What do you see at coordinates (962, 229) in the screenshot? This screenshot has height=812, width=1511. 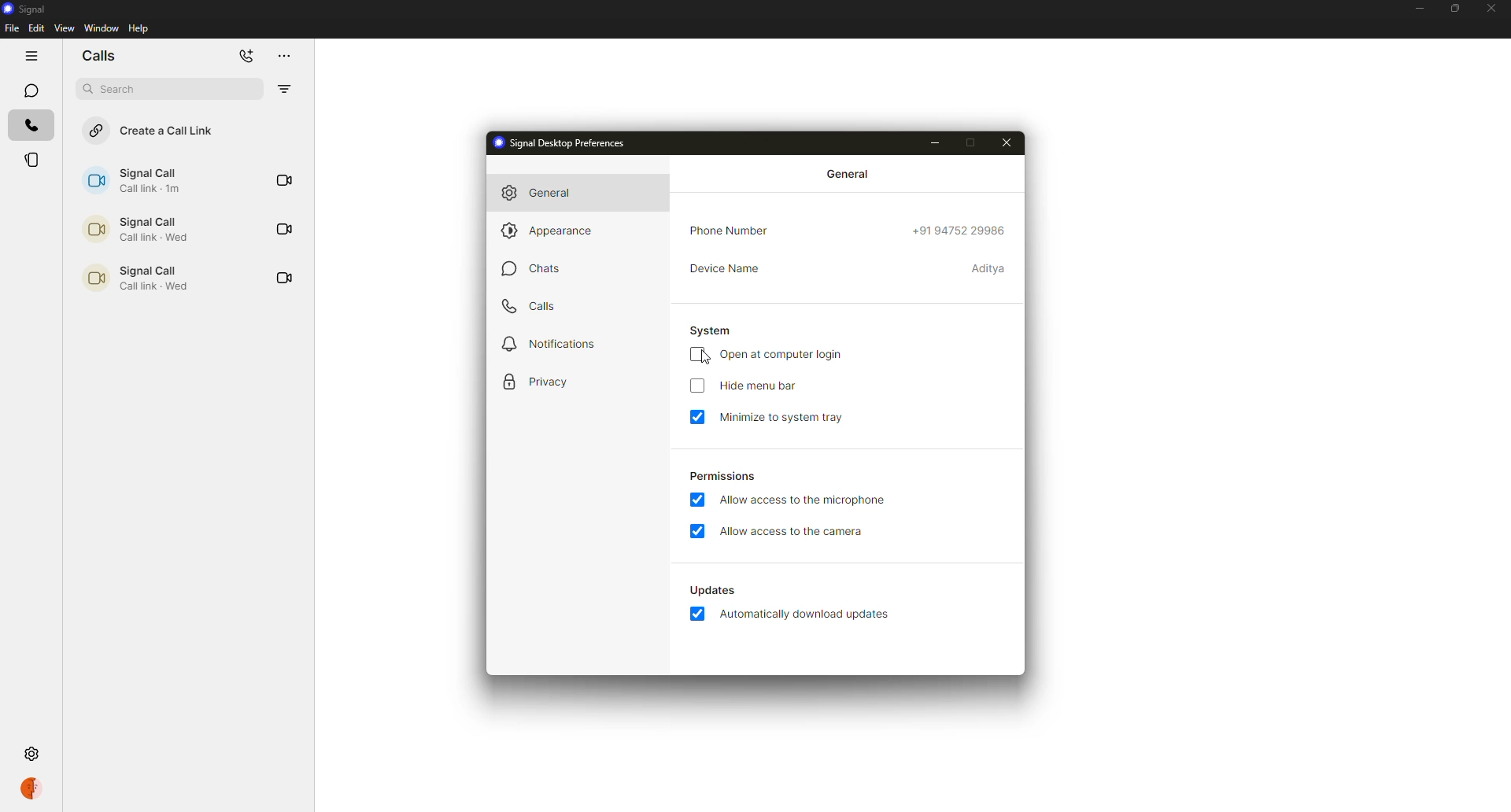 I see `phone number` at bounding box center [962, 229].